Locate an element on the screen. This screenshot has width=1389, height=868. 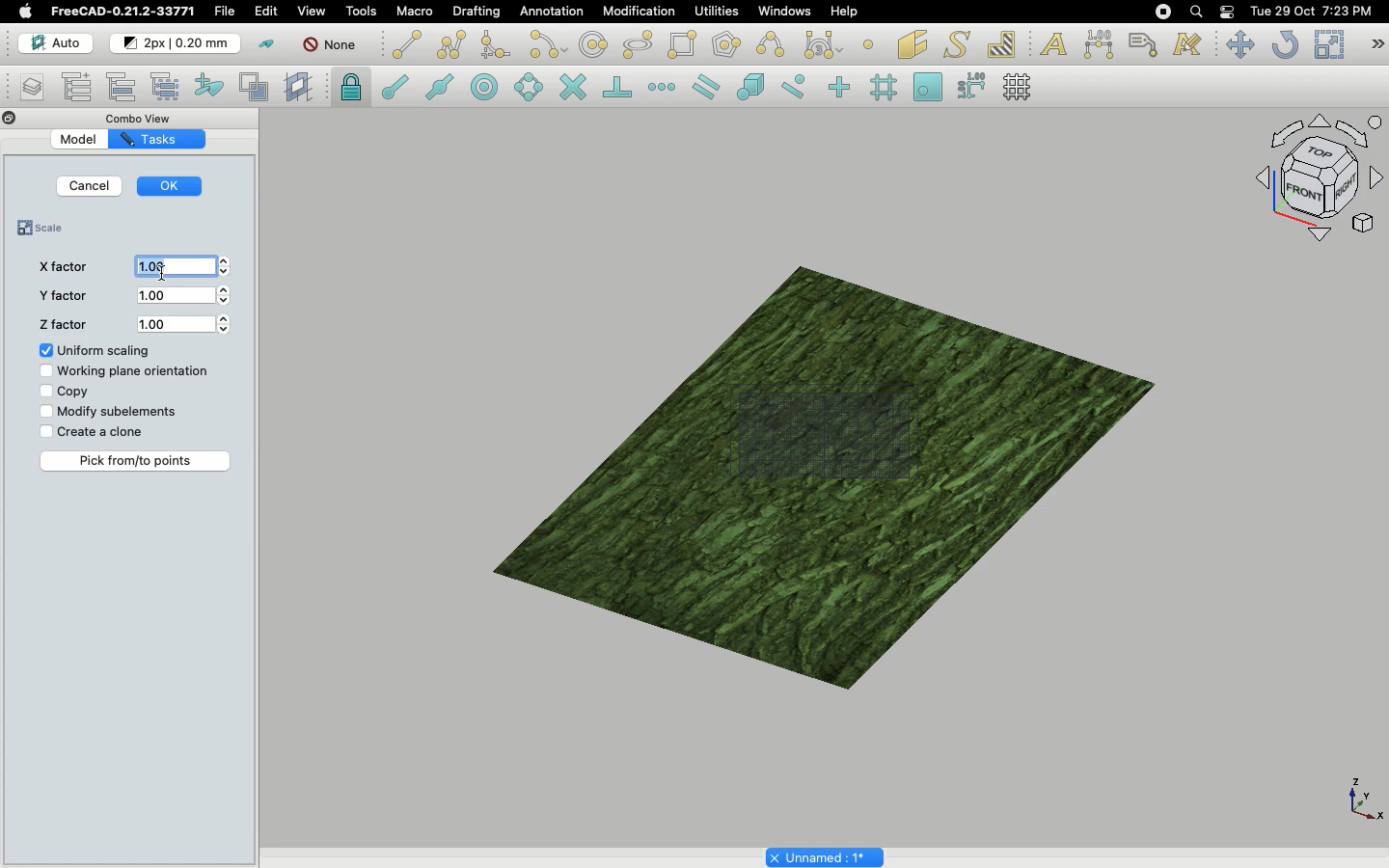
Snap angle is located at coordinates (524, 86).